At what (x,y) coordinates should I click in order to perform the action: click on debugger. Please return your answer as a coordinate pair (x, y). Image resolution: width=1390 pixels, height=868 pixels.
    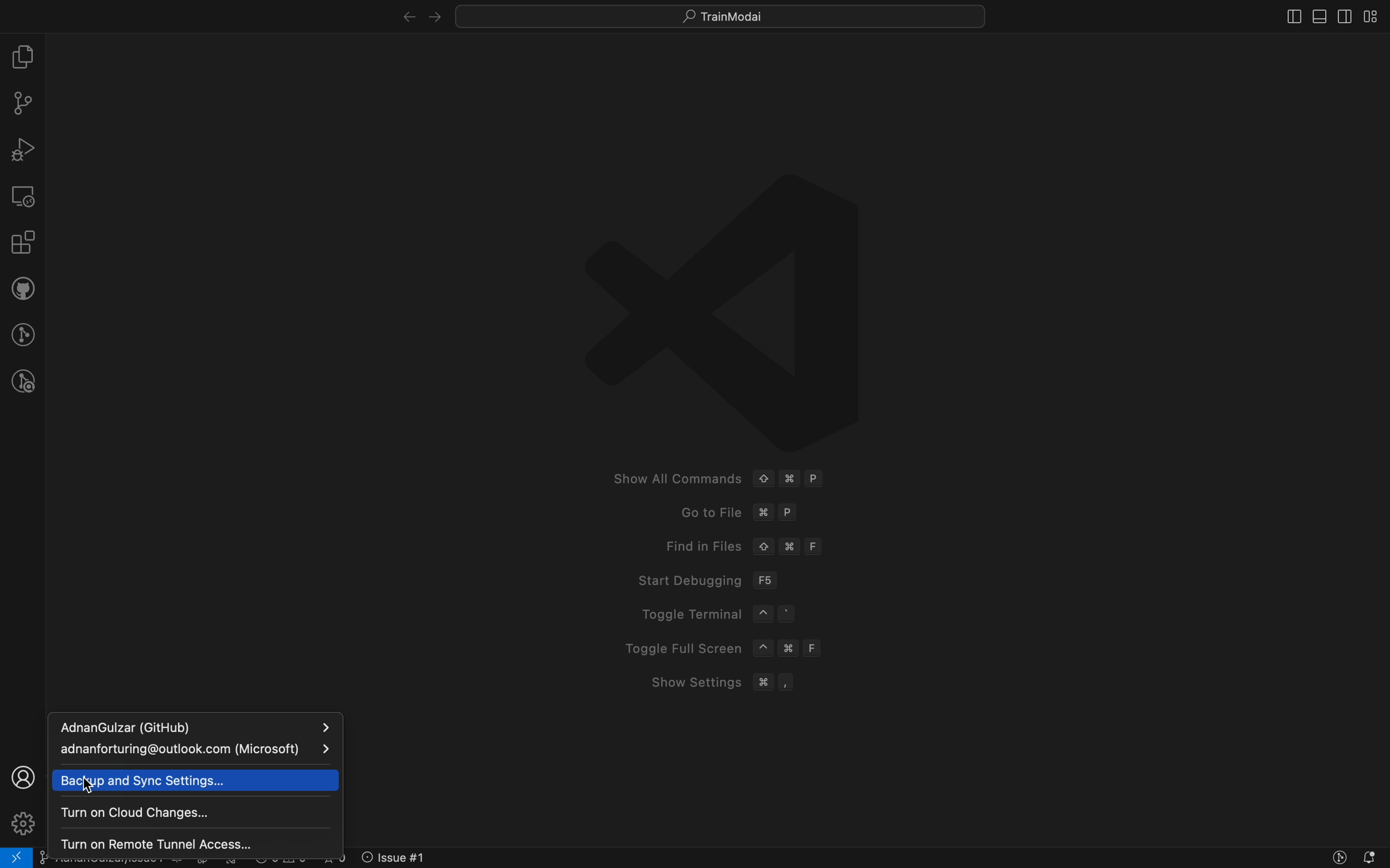
    Looking at the image, I should click on (23, 149).